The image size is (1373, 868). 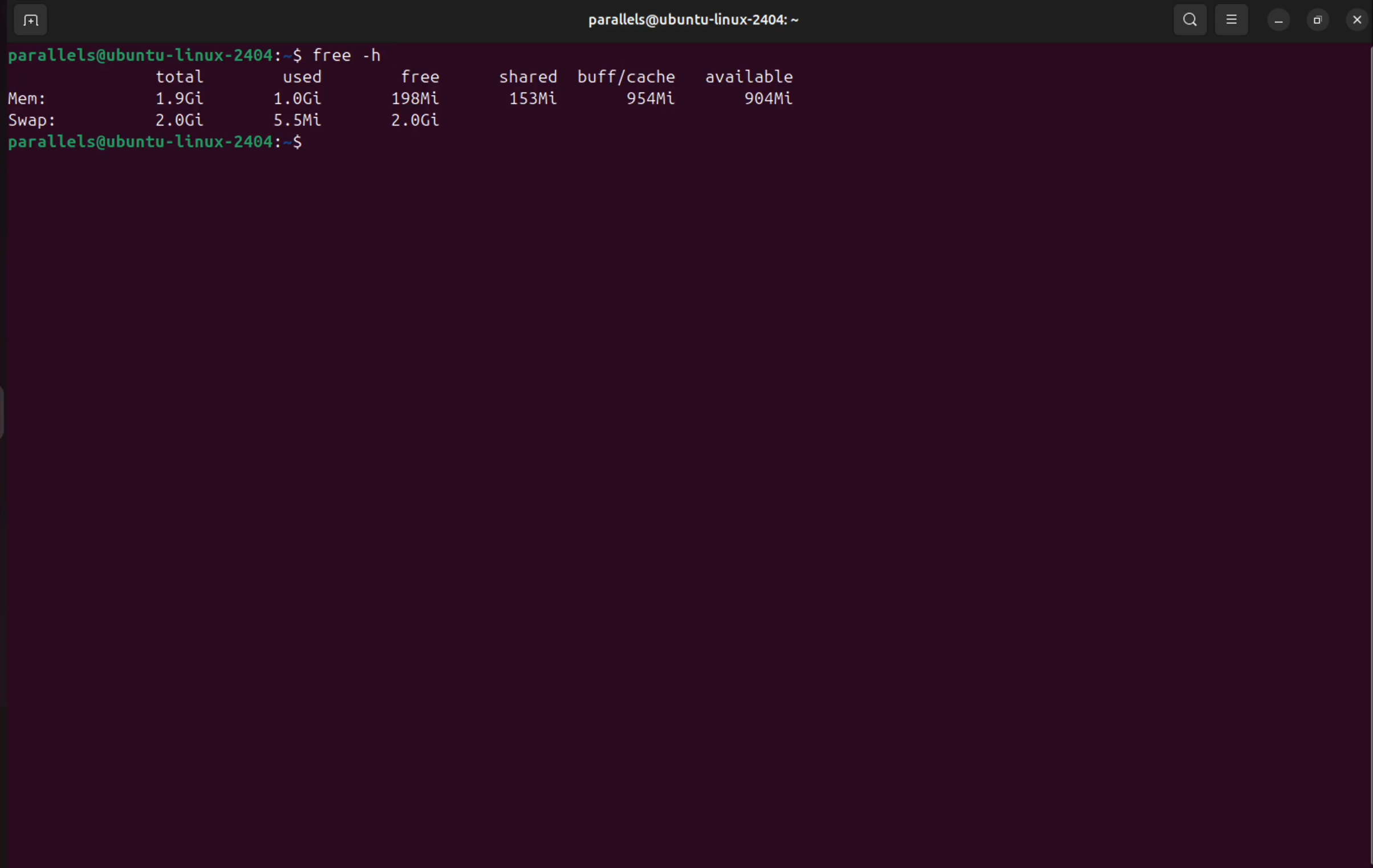 I want to click on free, so click(x=420, y=72).